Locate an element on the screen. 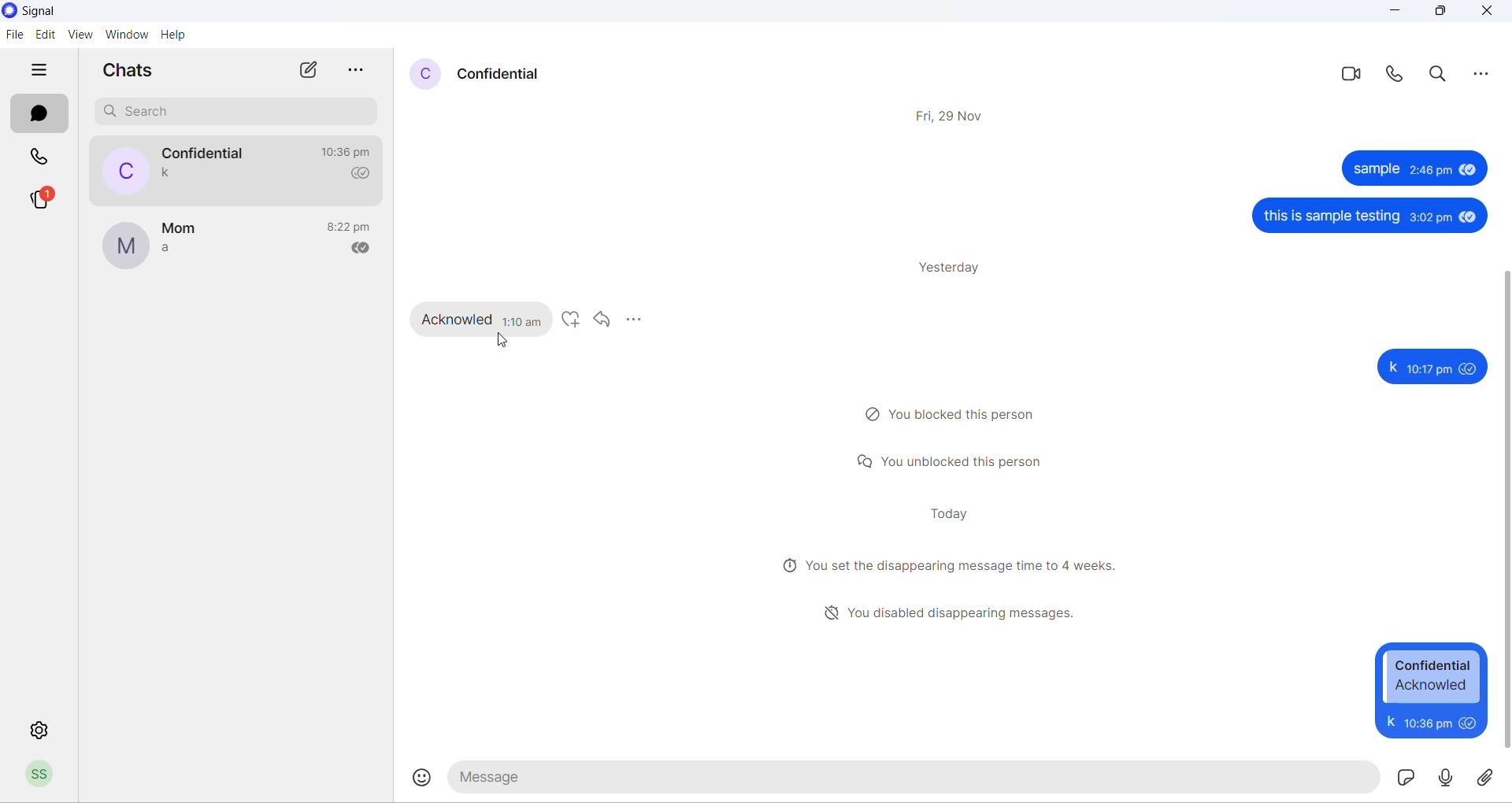 This screenshot has height=803, width=1512. yesterday  is located at coordinates (955, 270).